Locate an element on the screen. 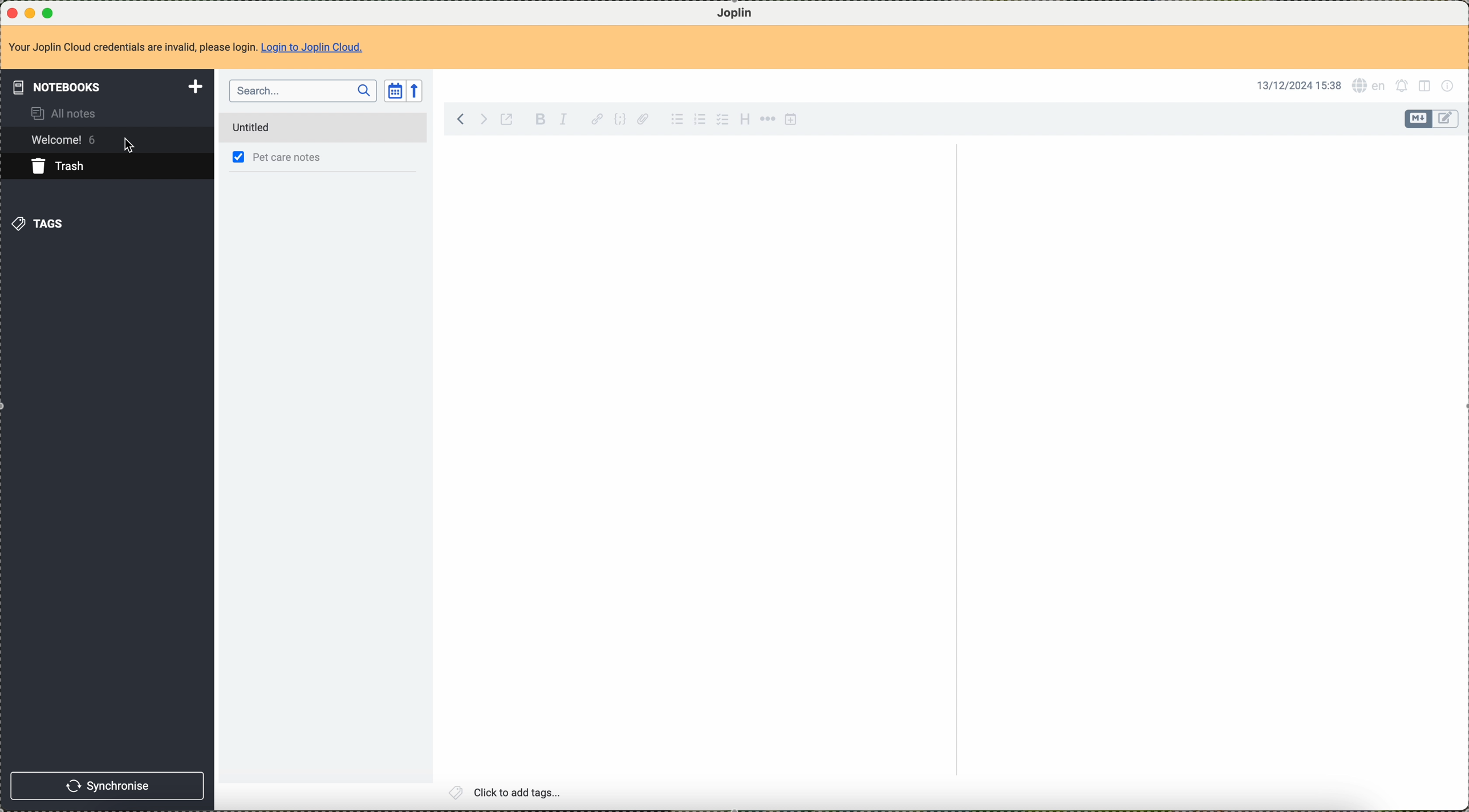 The image size is (1469, 812). notebooks is located at coordinates (107, 85).